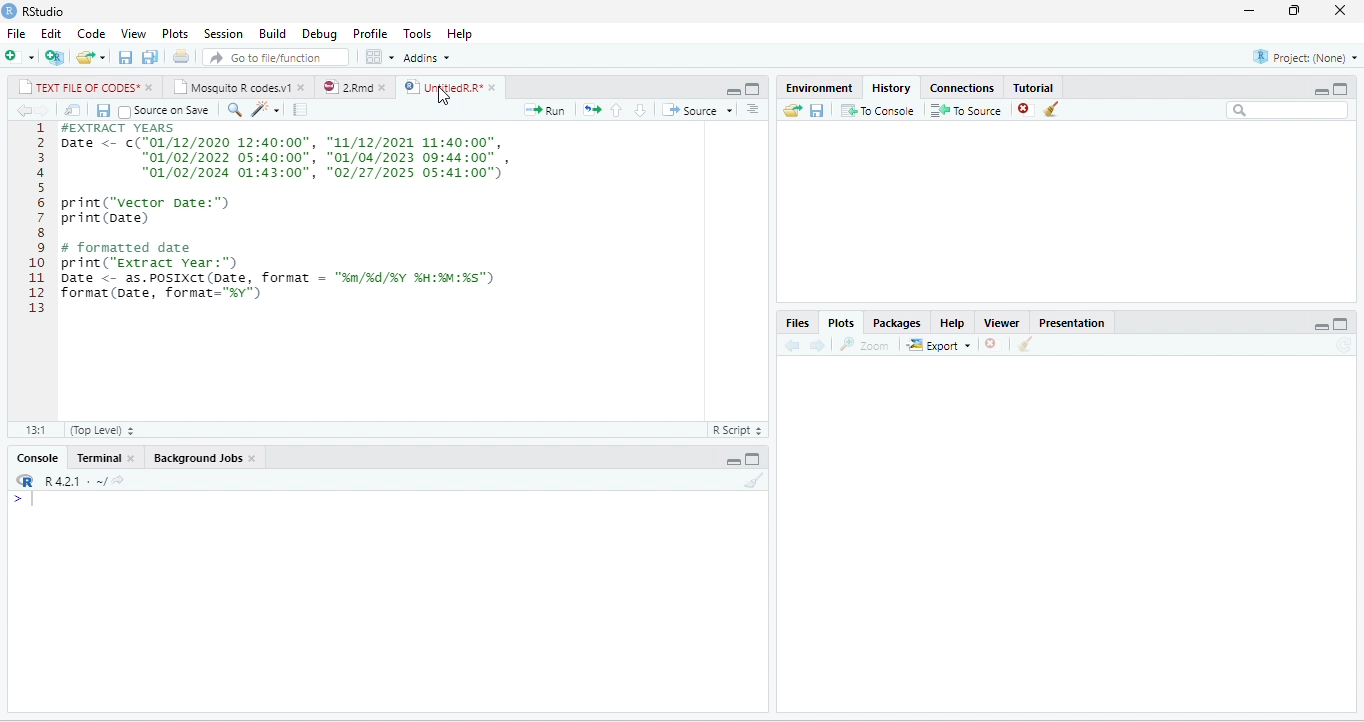  Describe the element at coordinates (460, 35) in the screenshot. I see `Help` at that location.